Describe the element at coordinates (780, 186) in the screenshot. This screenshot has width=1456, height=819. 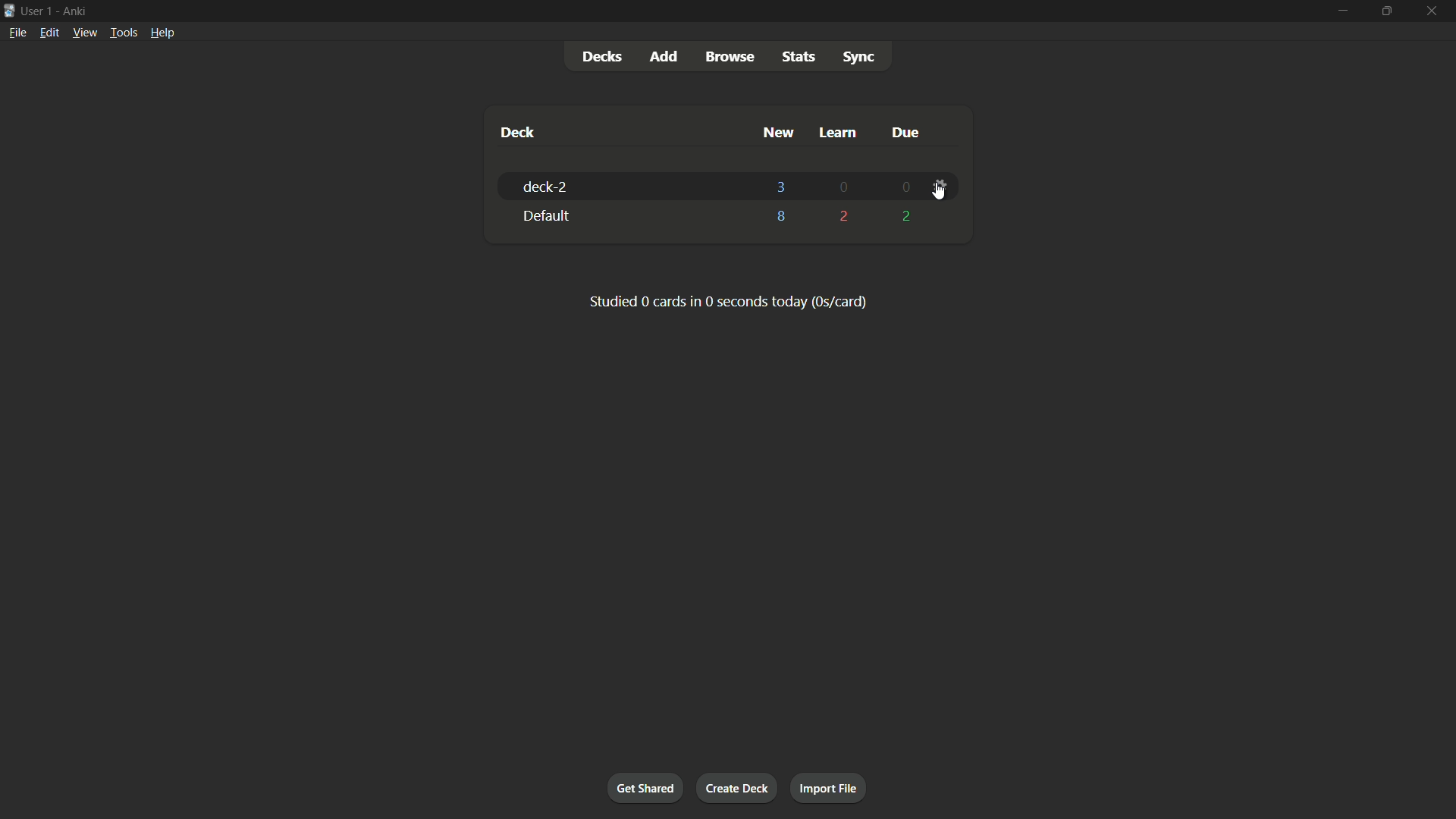
I see `3` at that location.